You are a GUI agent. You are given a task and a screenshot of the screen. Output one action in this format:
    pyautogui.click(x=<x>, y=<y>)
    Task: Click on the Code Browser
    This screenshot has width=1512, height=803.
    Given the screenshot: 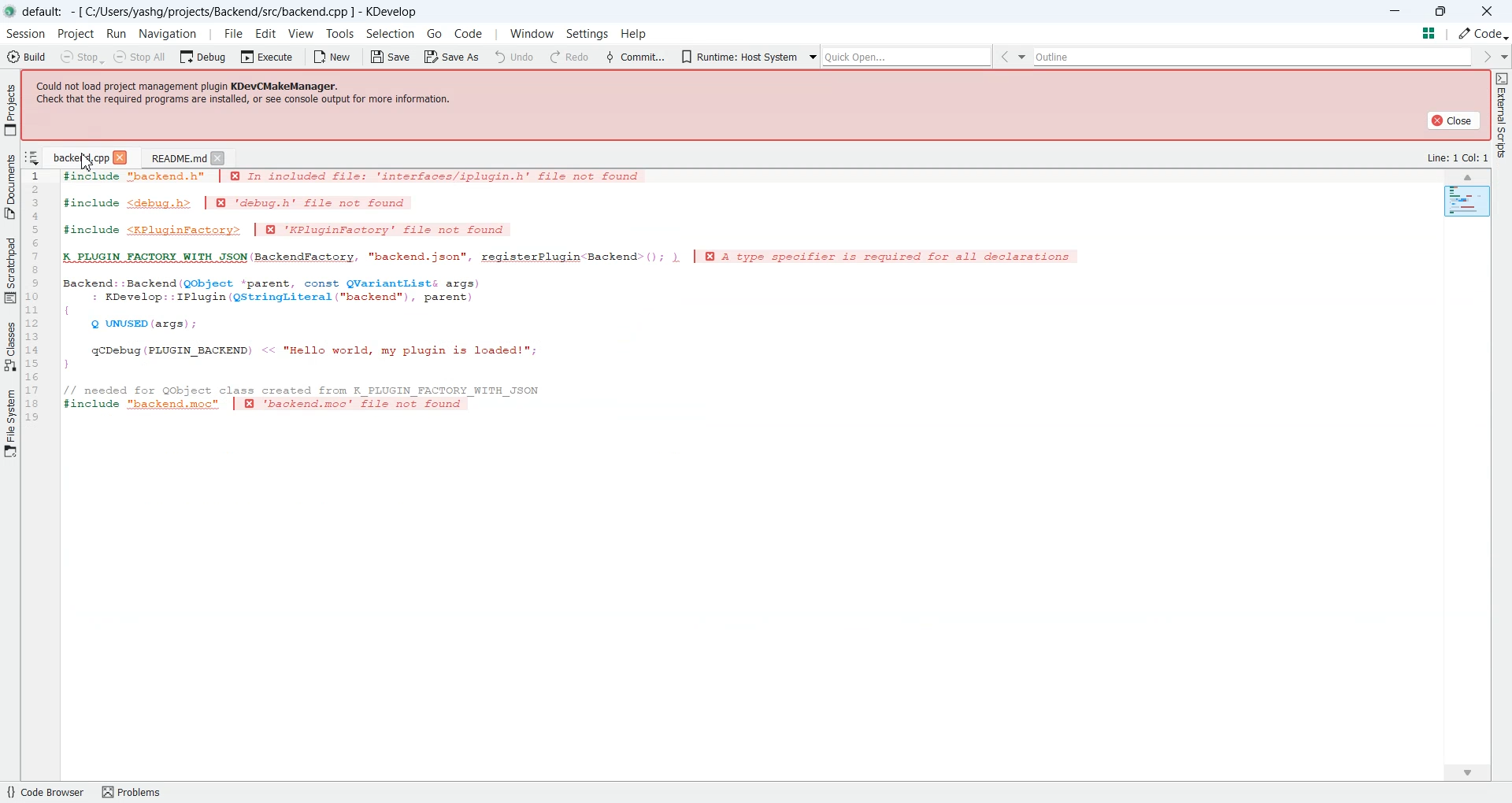 What is the action you would take?
    pyautogui.click(x=44, y=792)
    